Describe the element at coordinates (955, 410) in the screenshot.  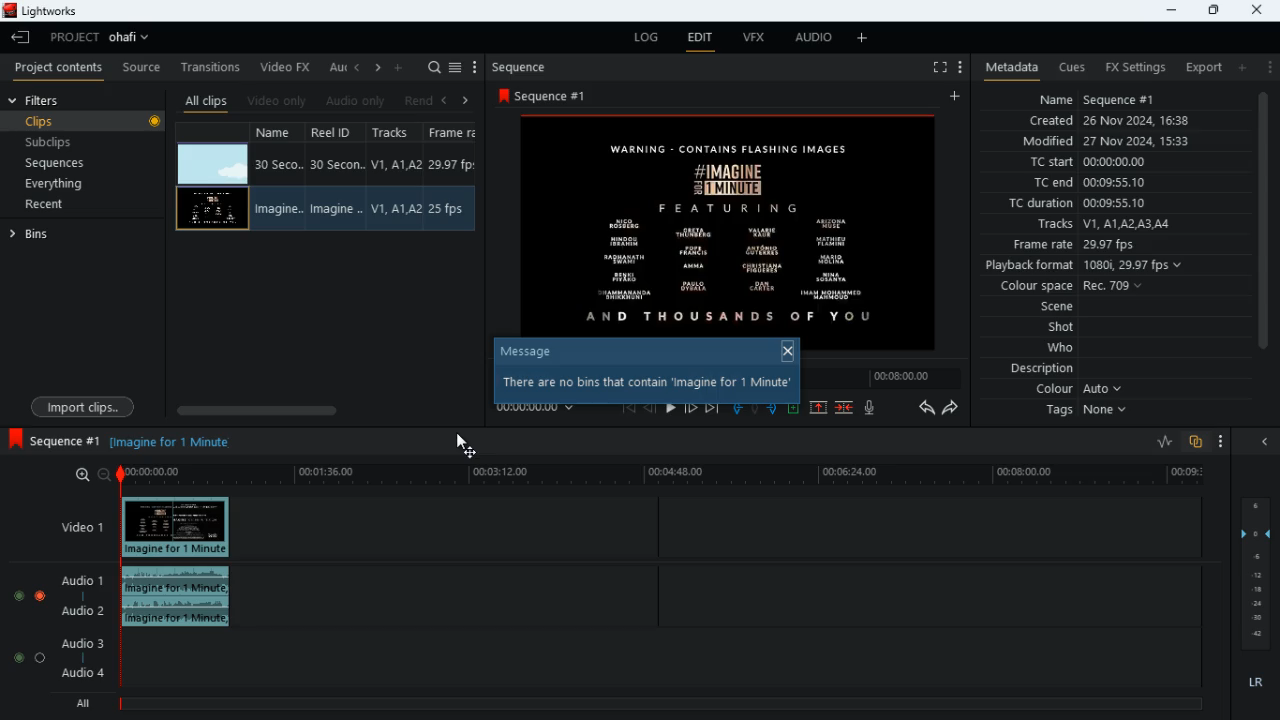
I see `forward` at that location.